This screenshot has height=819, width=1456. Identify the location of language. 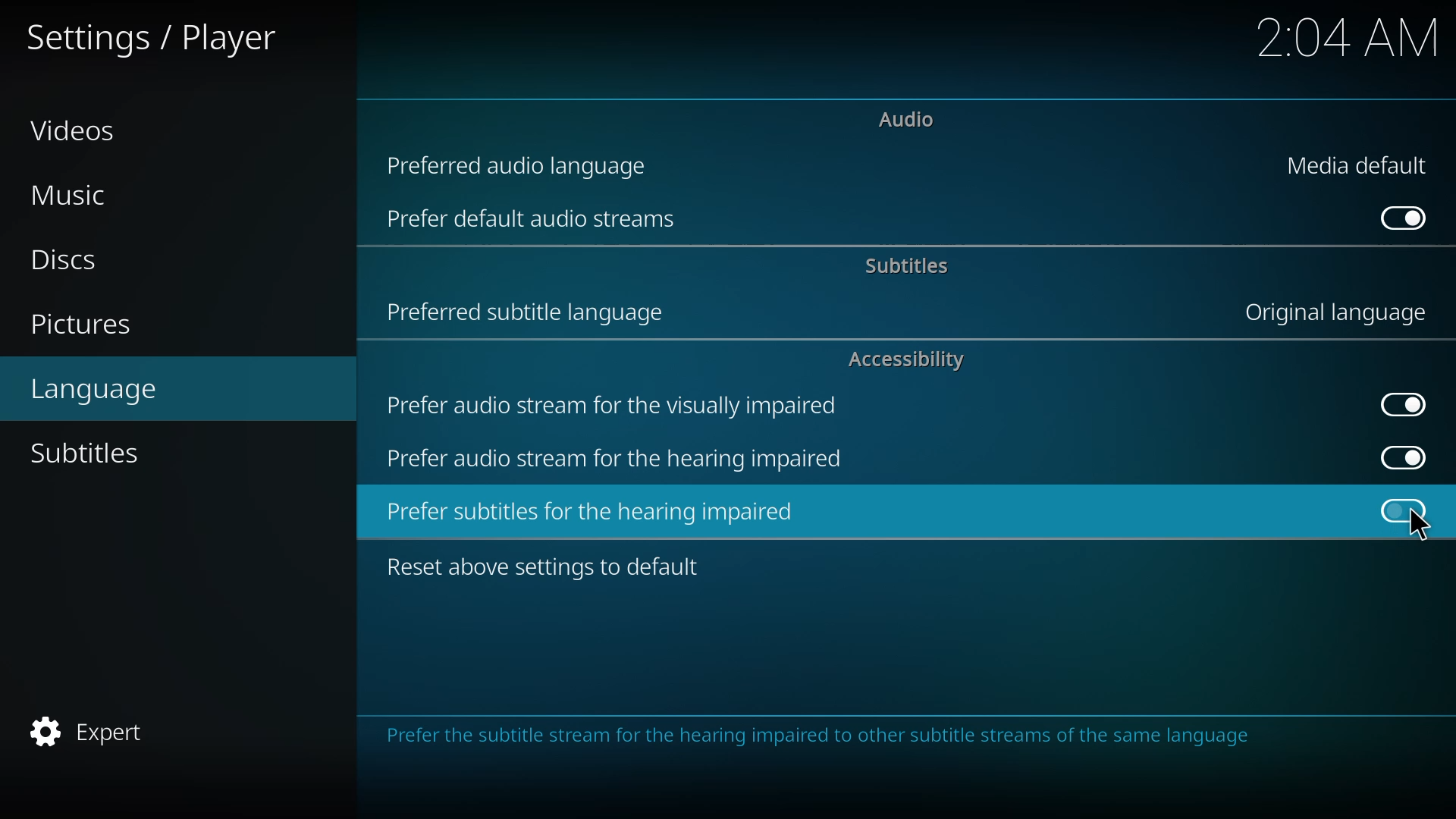
(96, 389).